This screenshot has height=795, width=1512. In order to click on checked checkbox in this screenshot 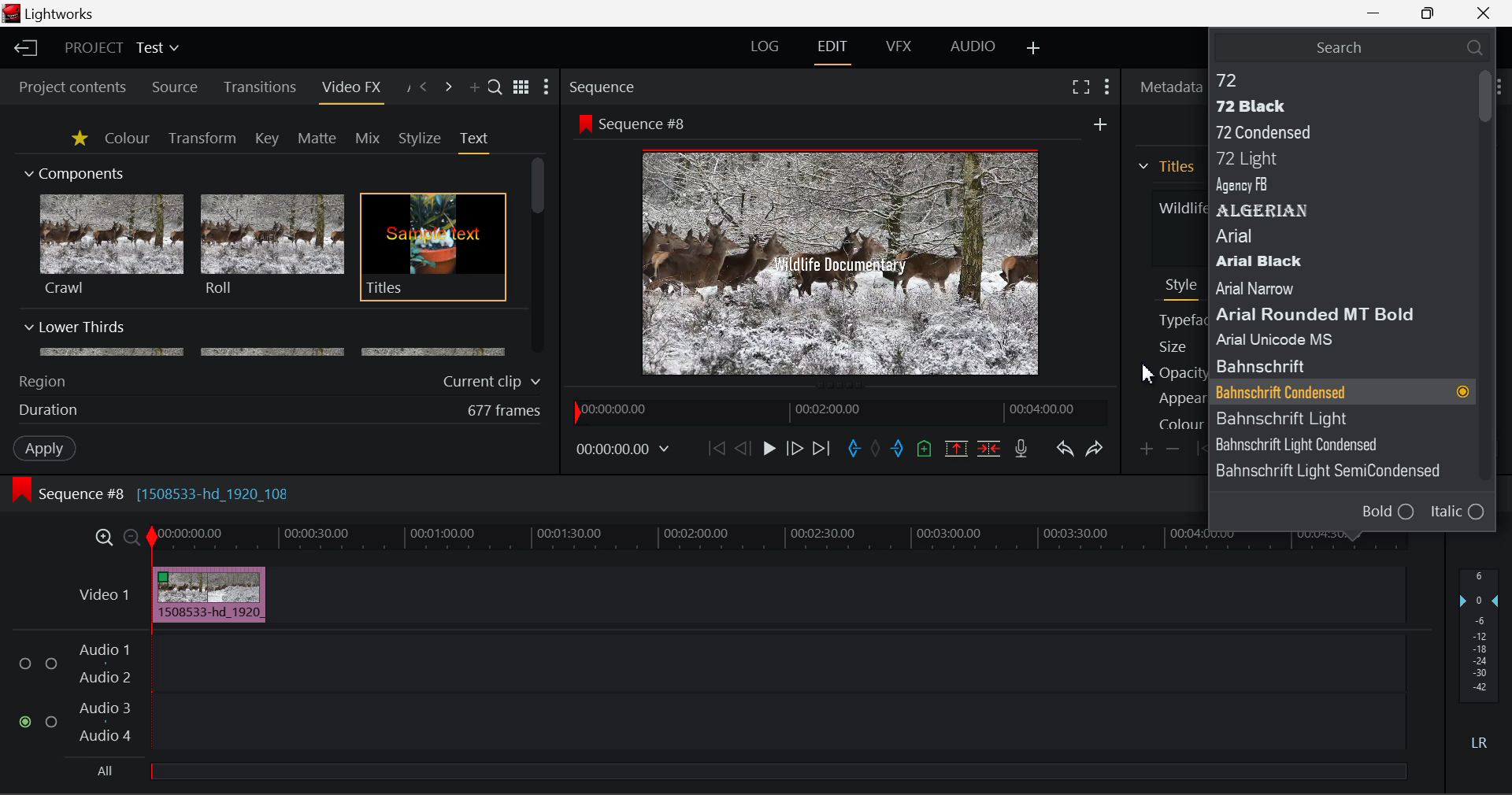, I will do `click(28, 723)`.